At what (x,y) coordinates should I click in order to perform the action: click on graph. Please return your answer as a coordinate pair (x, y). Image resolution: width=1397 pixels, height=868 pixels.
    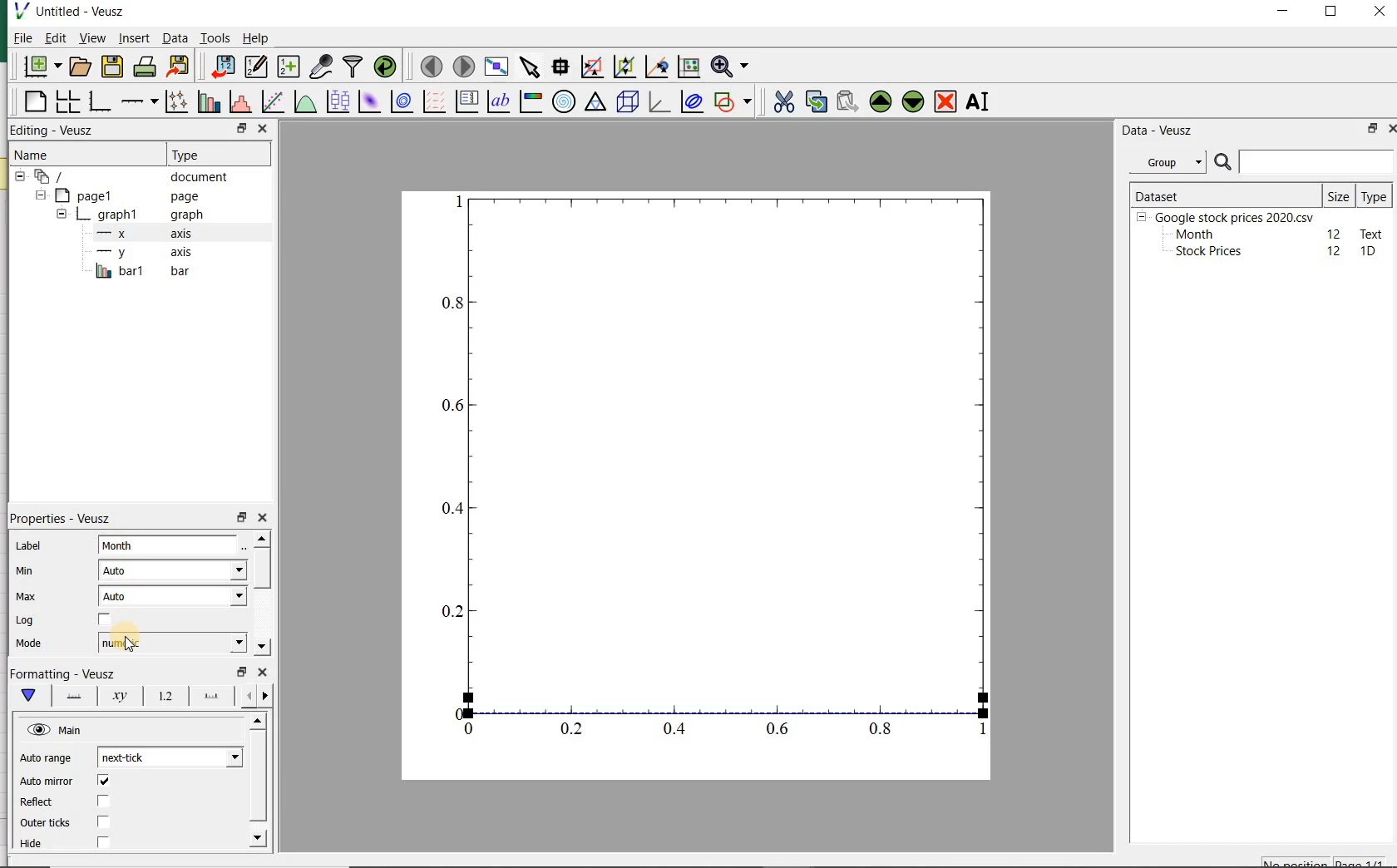
    Looking at the image, I should click on (712, 467).